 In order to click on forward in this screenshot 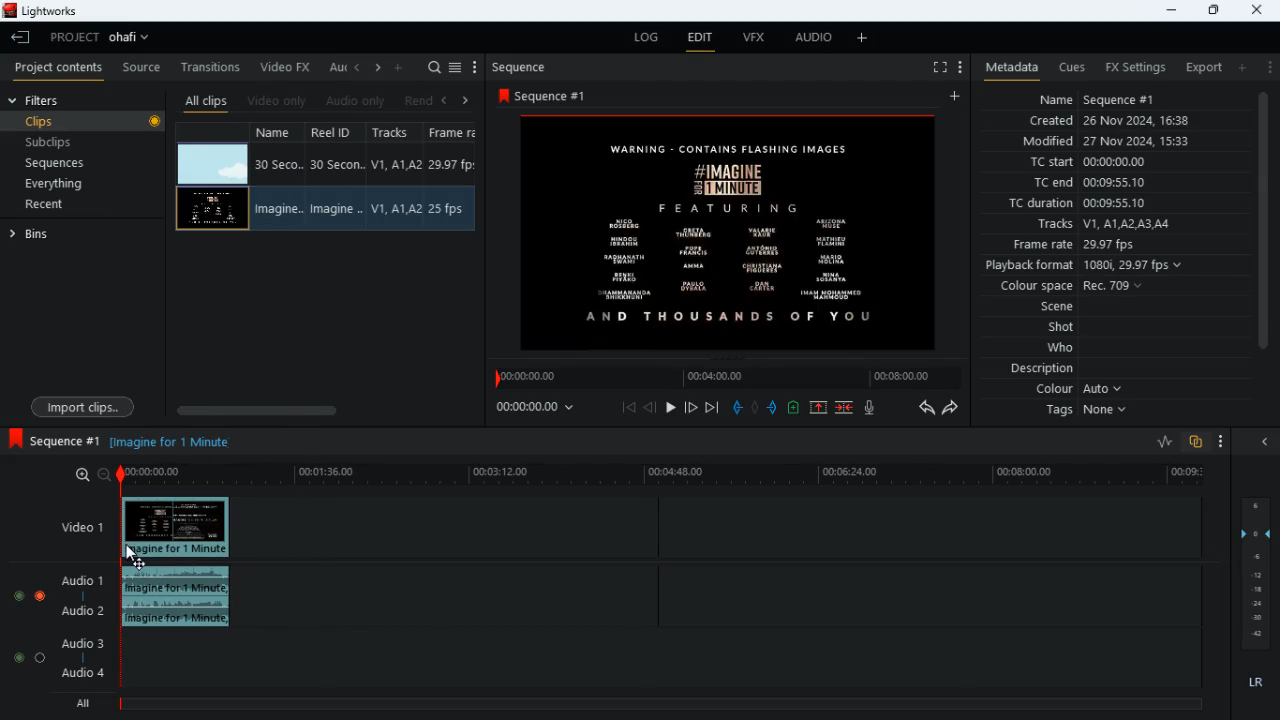, I will do `click(690, 407)`.